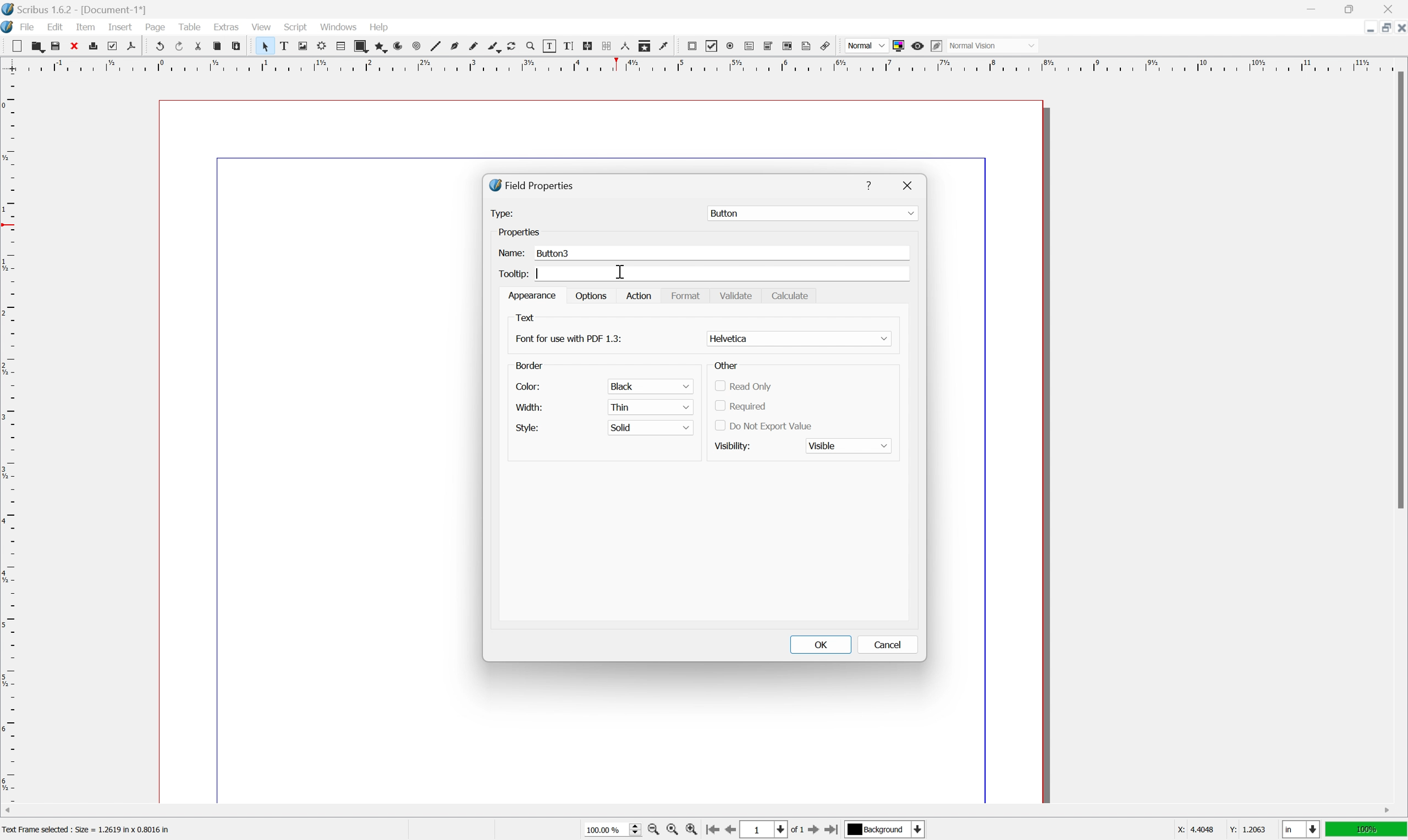 This screenshot has width=1408, height=840. I want to click on ruler, so click(700, 65).